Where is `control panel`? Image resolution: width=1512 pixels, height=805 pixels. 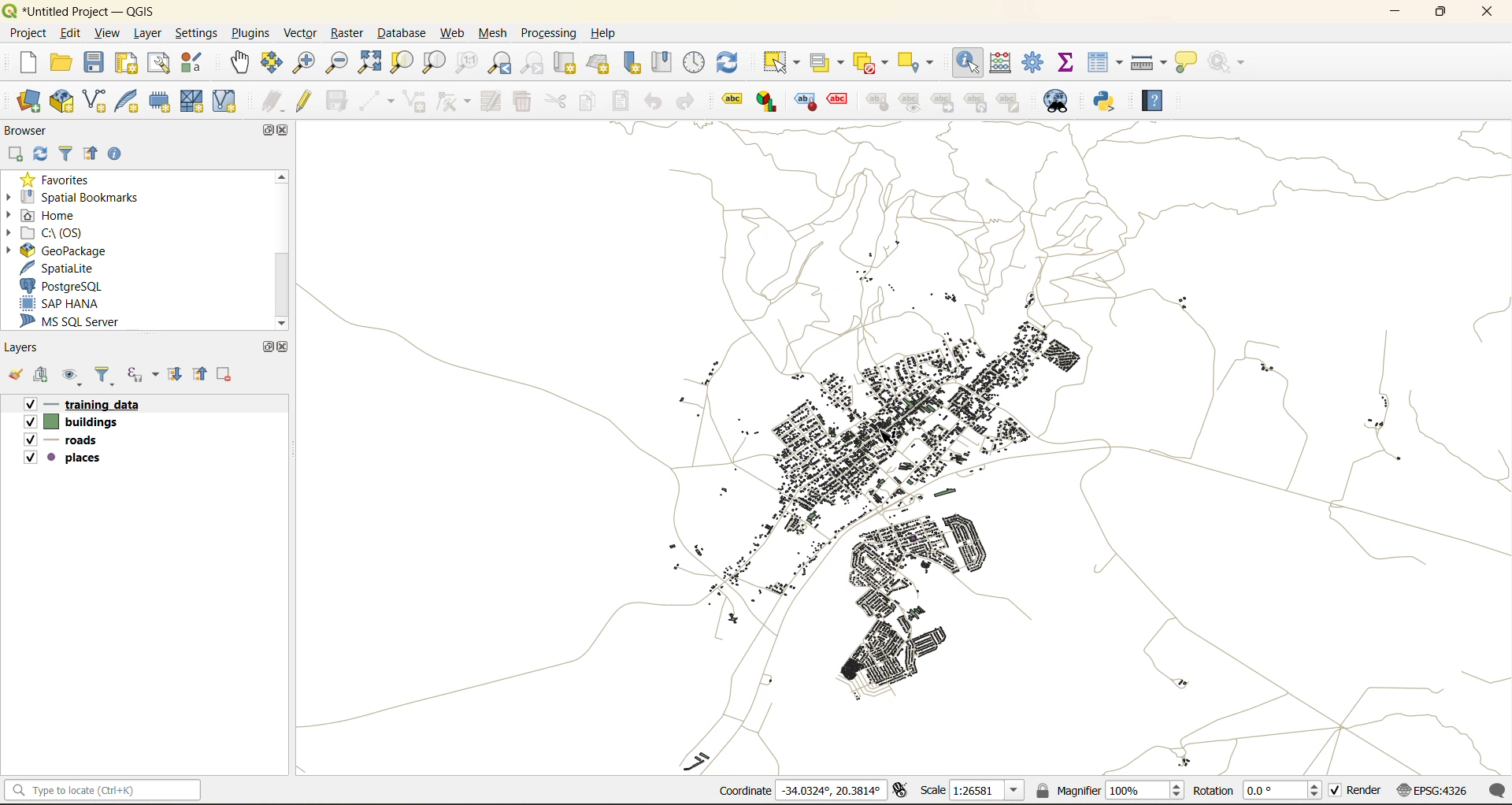 control panel is located at coordinates (695, 62).